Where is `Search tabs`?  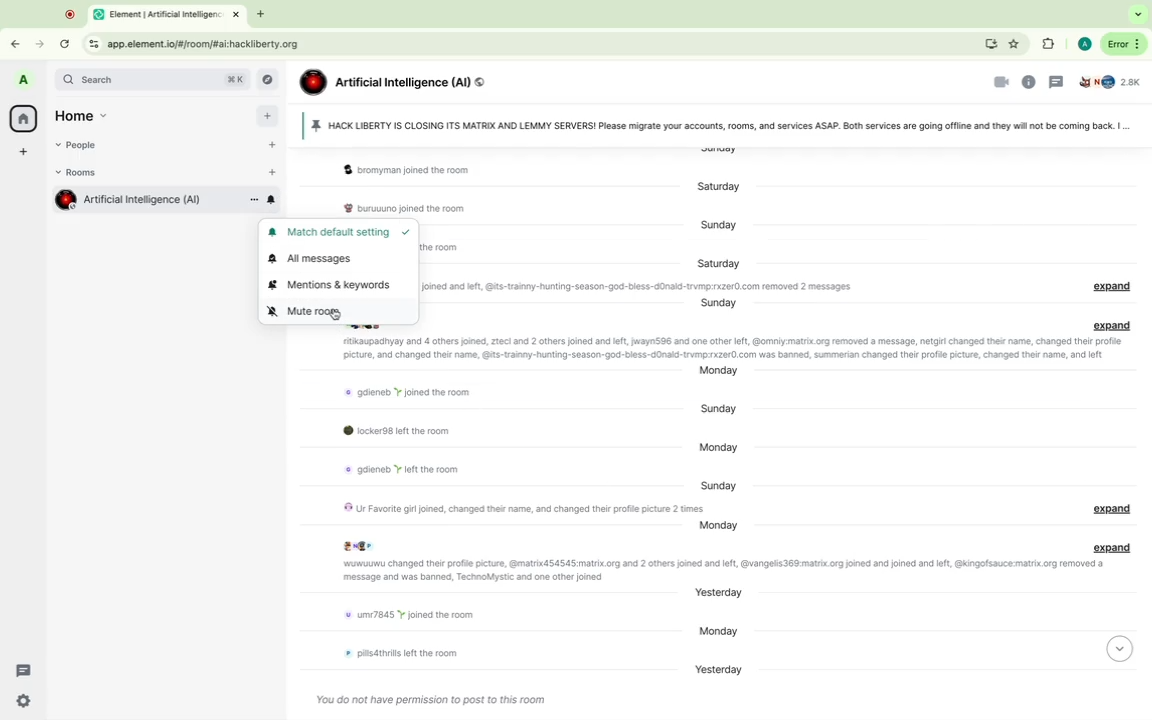
Search tabs is located at coordinates (1140, 15).